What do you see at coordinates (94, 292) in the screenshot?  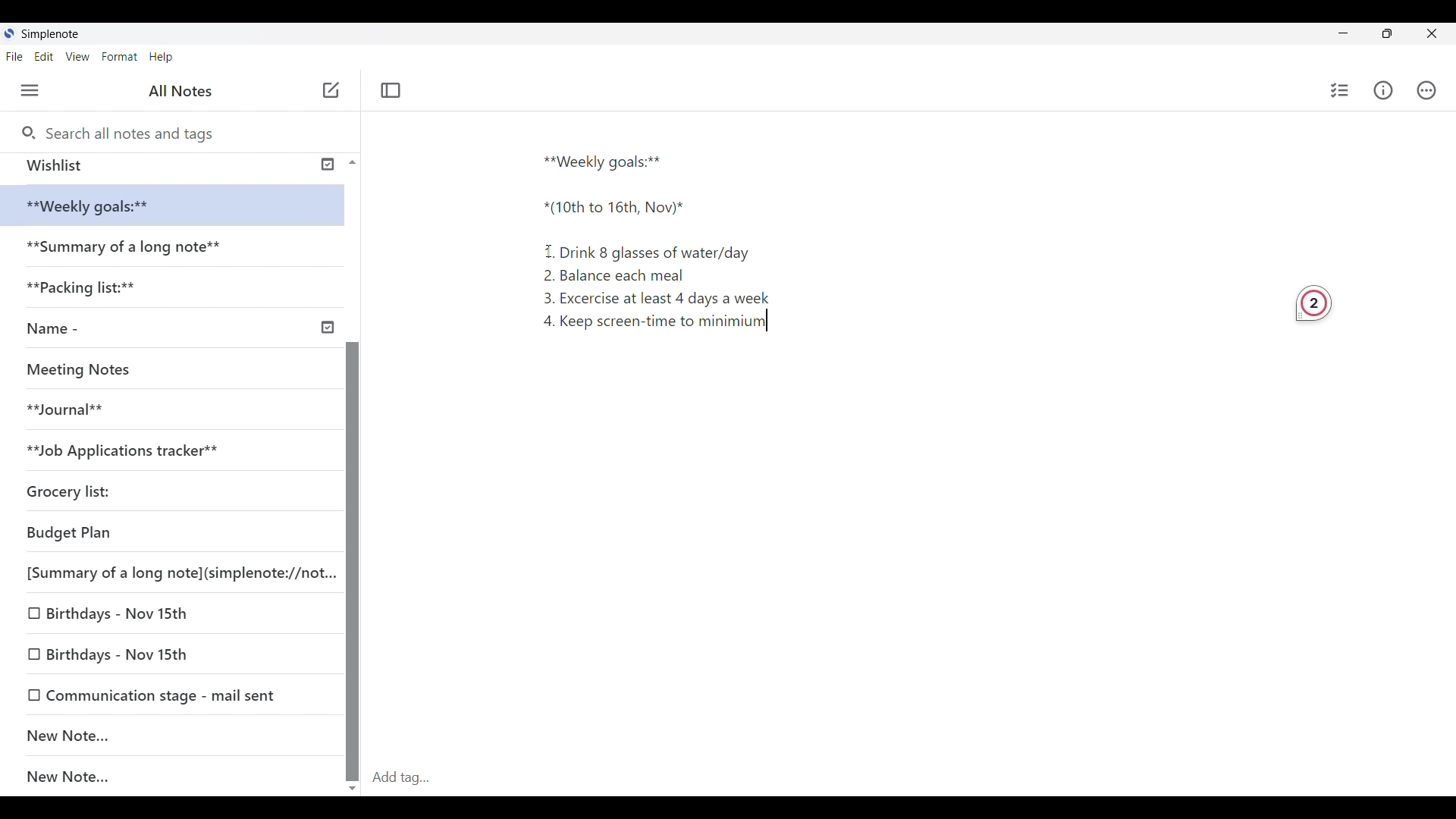 I see `**Packaging list:**` at bounding box center [94, 292].